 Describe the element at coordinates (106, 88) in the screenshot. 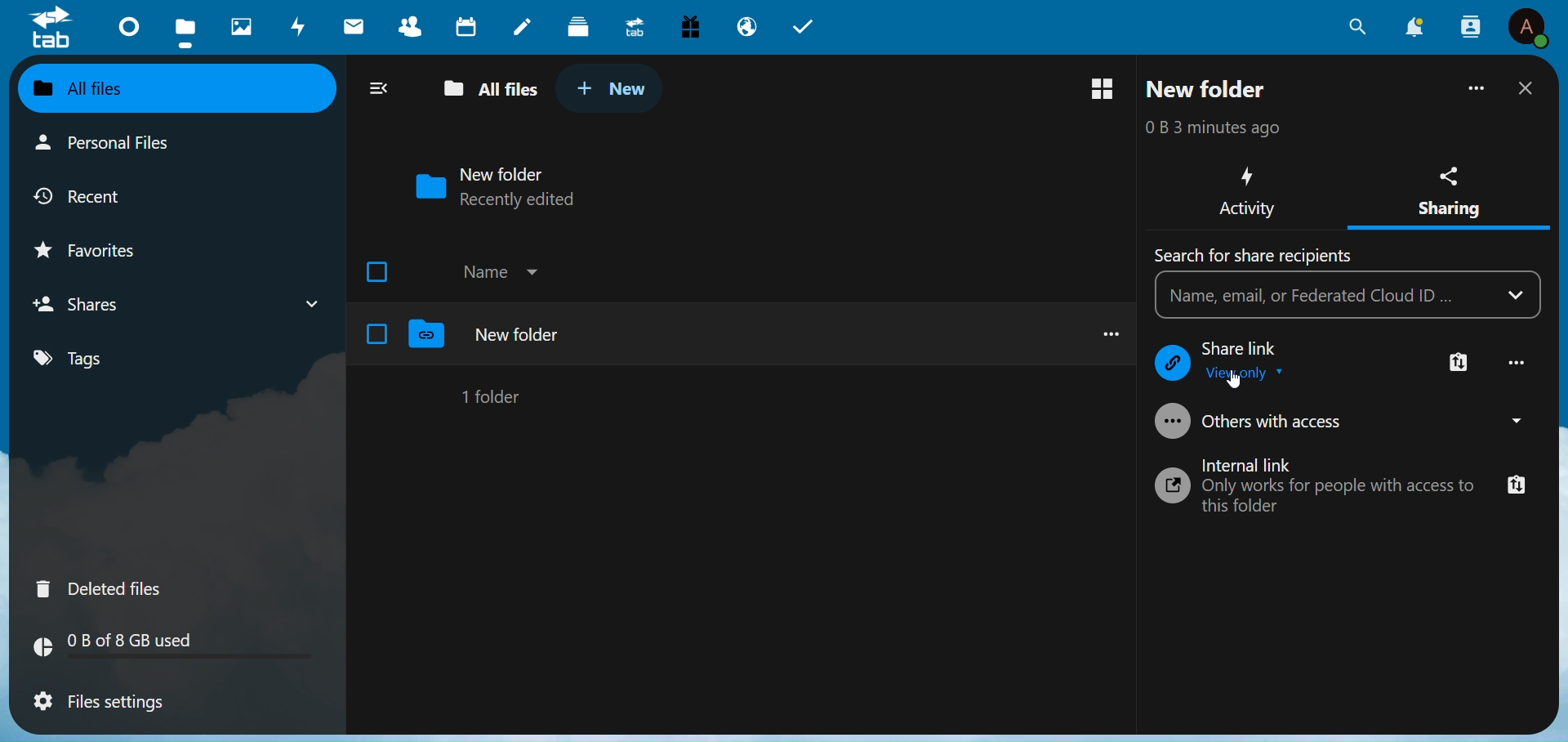

I see `All Files` at that location.